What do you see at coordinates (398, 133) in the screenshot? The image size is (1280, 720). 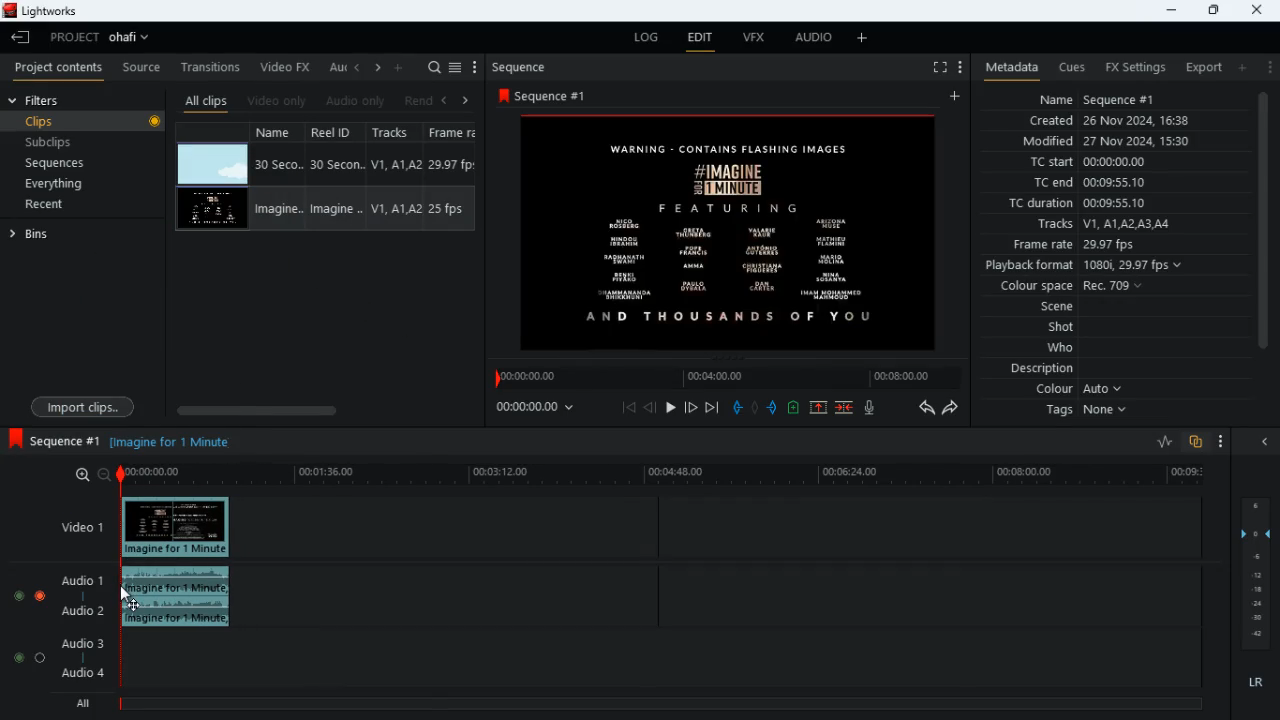 I see `tracks` at bounding box center [398, 133].